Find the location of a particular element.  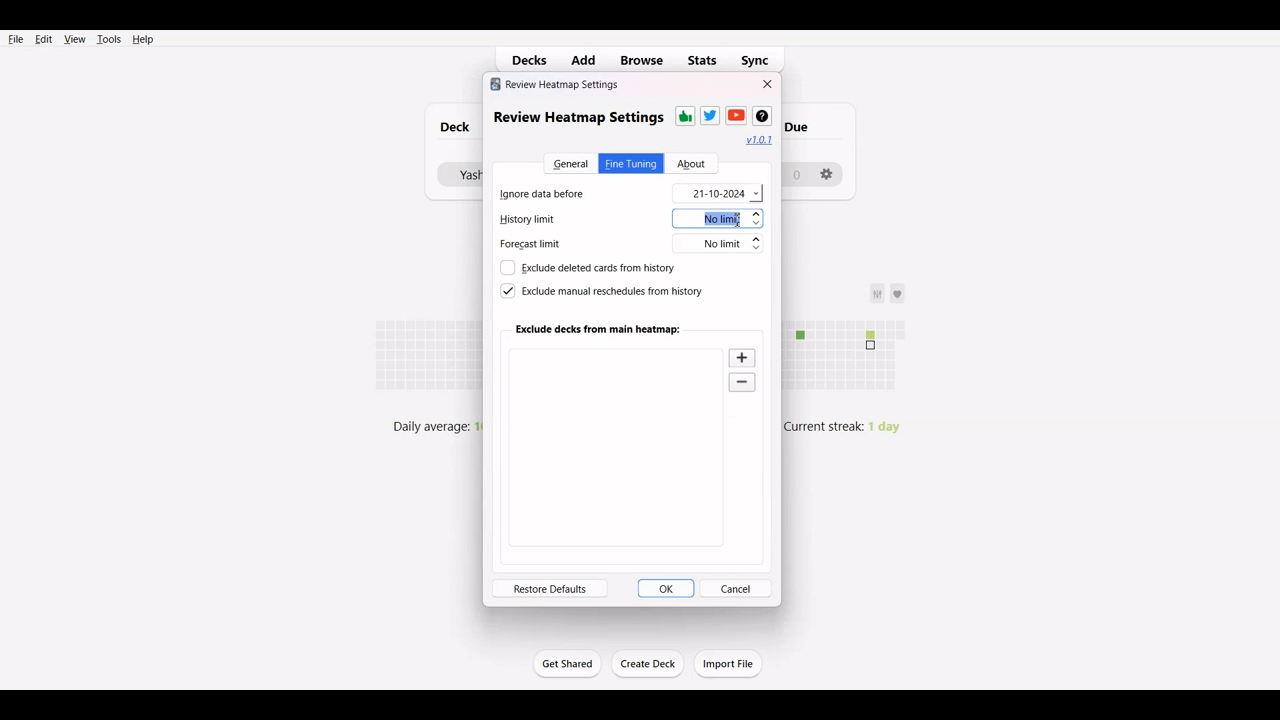

Get Started is located at coordinates (566, 663).